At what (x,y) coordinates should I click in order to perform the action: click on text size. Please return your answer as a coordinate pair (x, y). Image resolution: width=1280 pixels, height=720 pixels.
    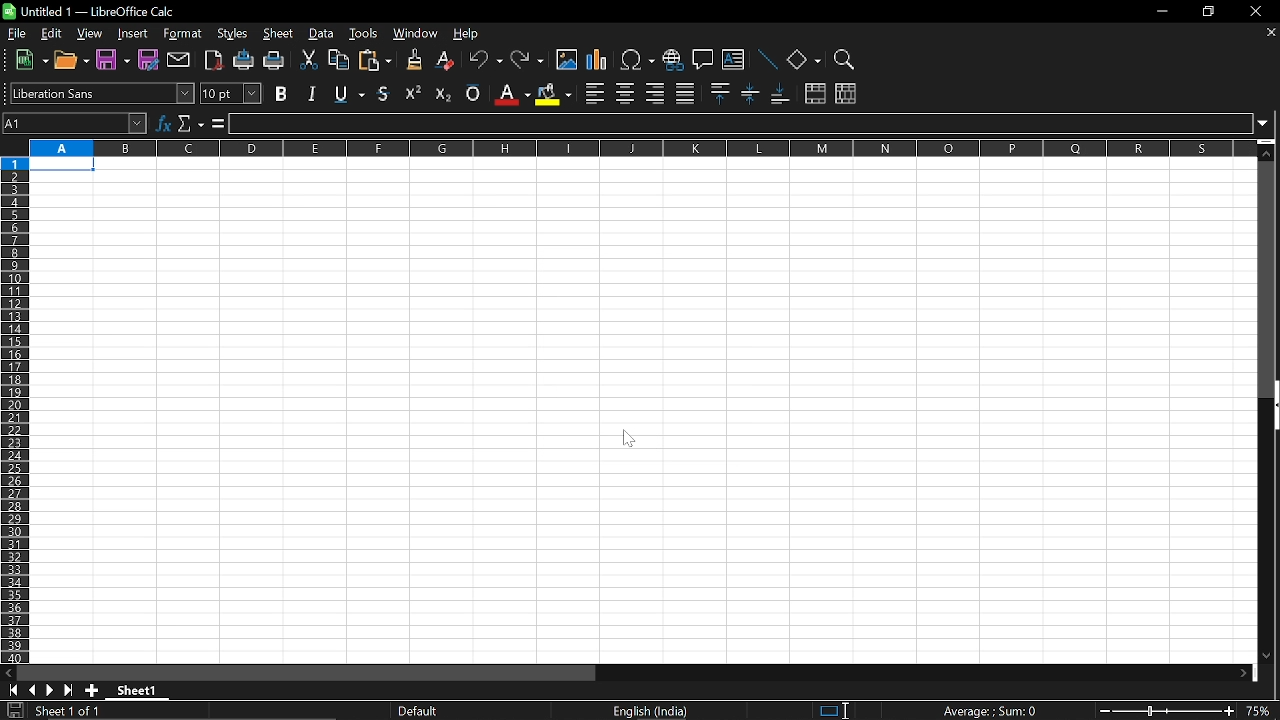
    Looking at the image, I should click on (230, 94).